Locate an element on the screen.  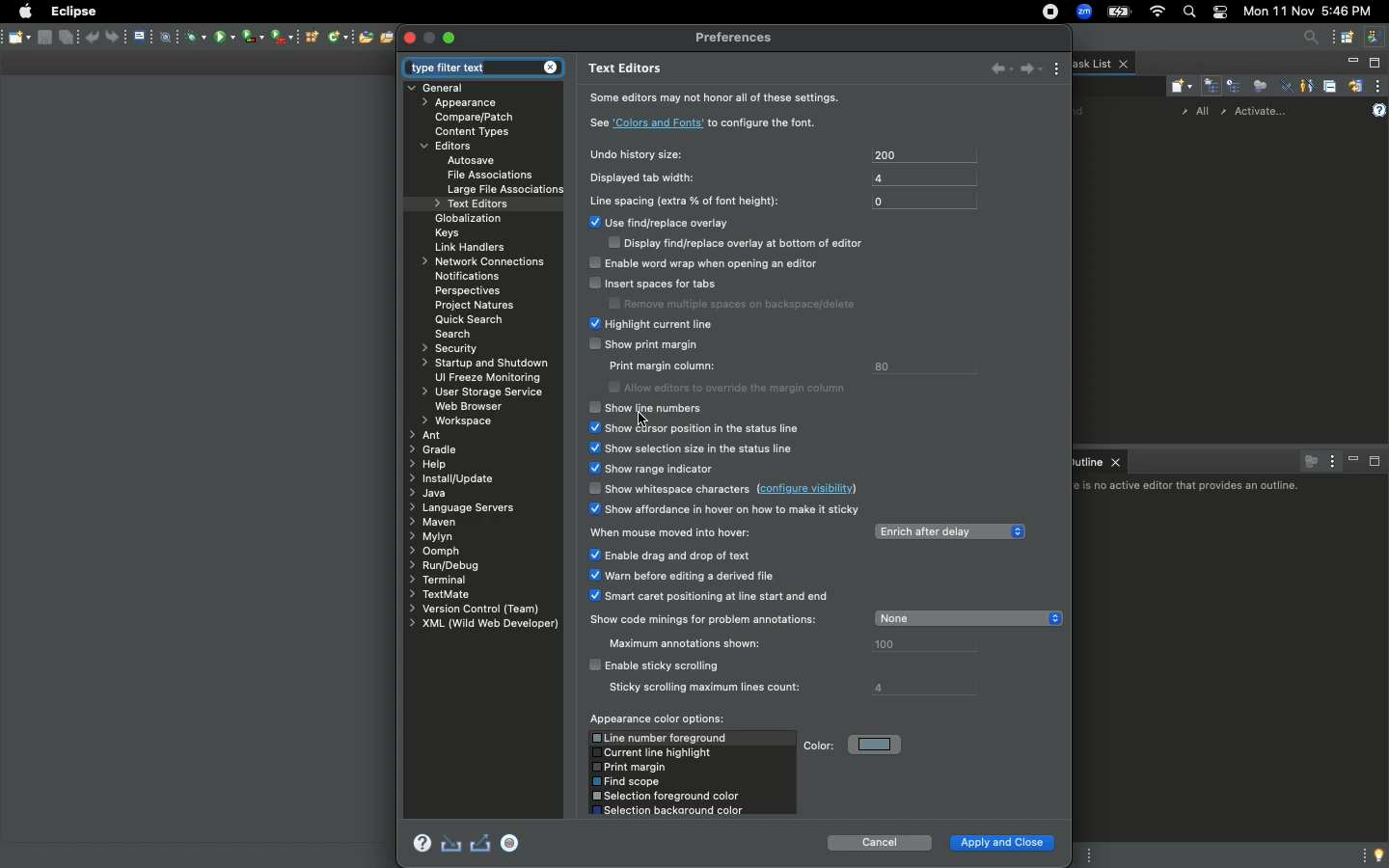
Terminal is located at coordinates (438, 578).